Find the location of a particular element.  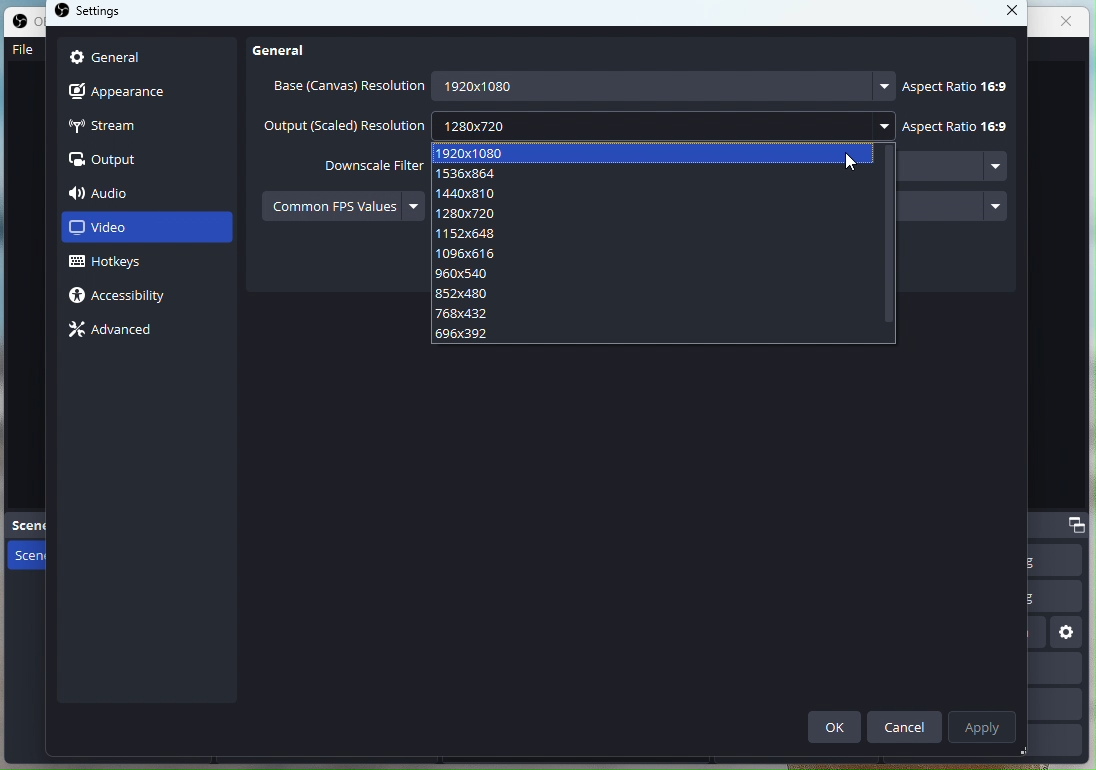

852x480 is located at coordinates (655, 293).